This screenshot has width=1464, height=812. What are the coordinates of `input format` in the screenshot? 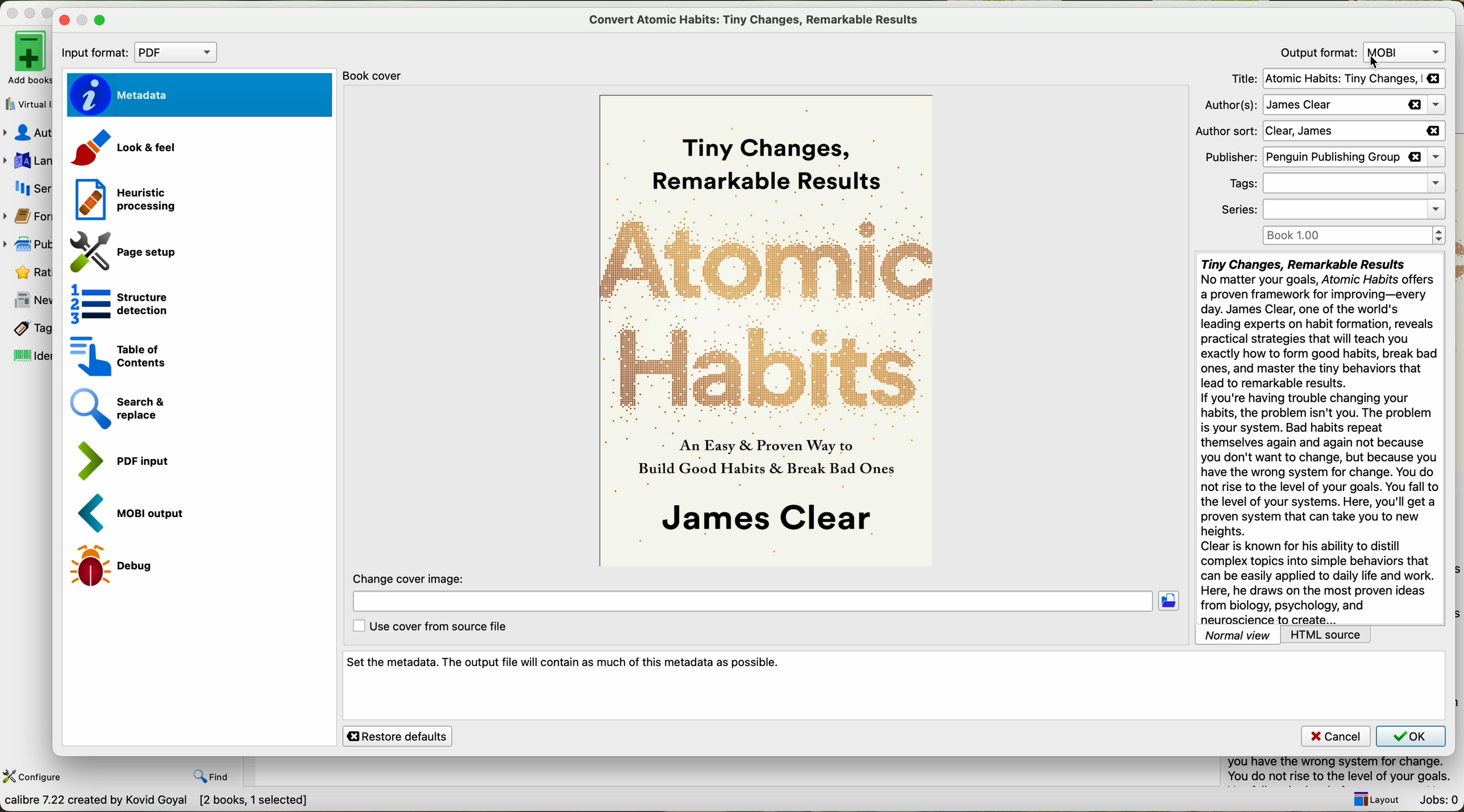 It's located at (135, 52).